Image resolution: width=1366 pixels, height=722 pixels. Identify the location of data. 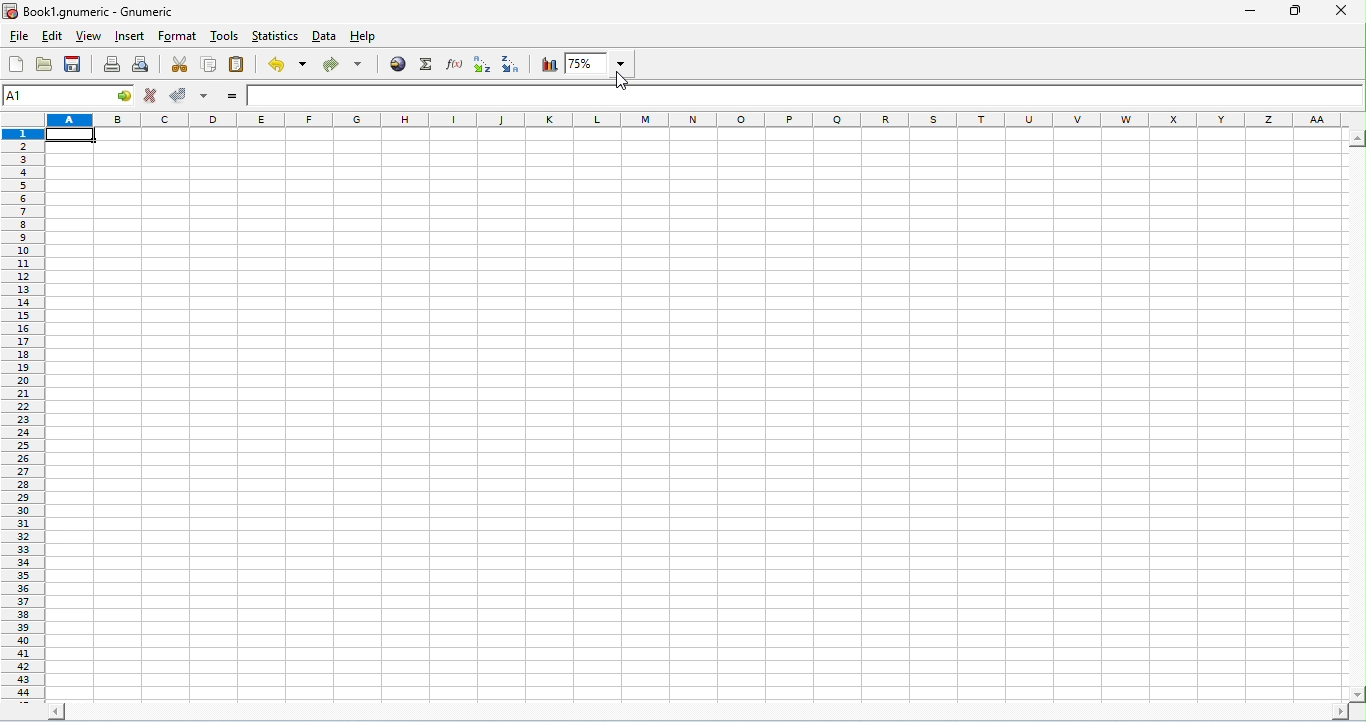
(326, 36).